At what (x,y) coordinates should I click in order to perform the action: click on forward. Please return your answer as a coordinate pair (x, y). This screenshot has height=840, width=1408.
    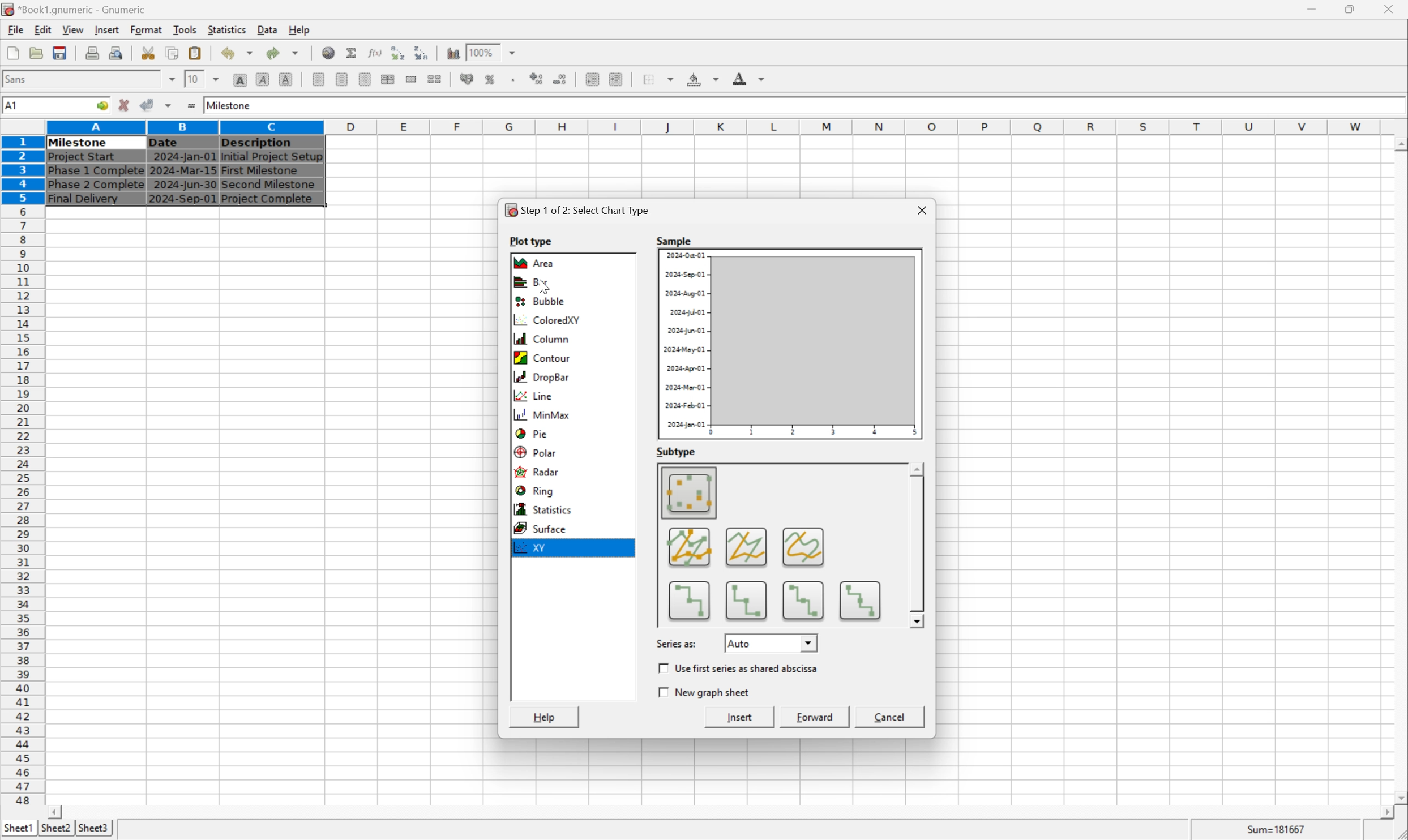
    Looking at the image, I should click on (818, 717).